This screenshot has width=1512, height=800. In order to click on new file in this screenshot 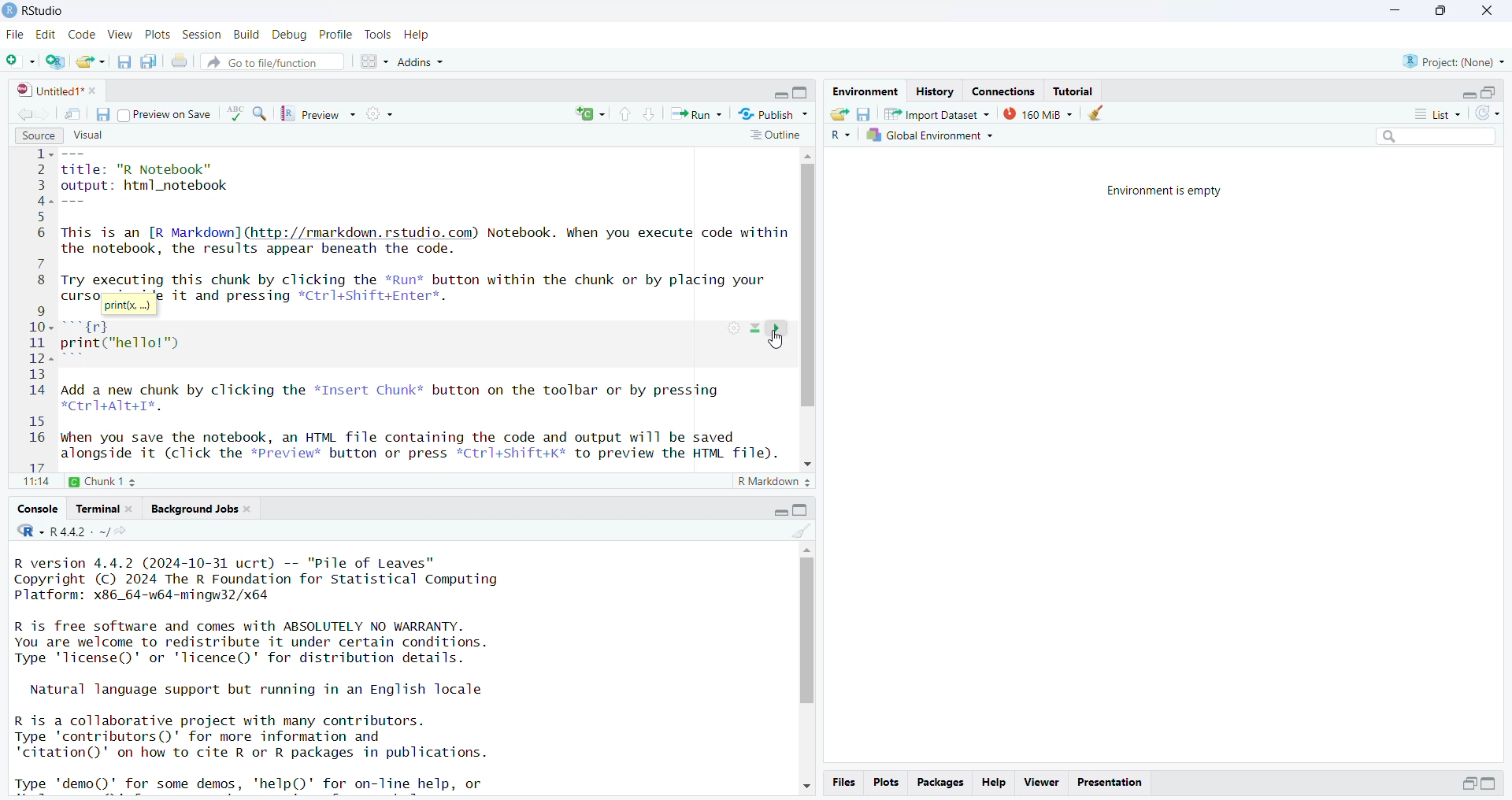, I will do `click(20, 61)`.